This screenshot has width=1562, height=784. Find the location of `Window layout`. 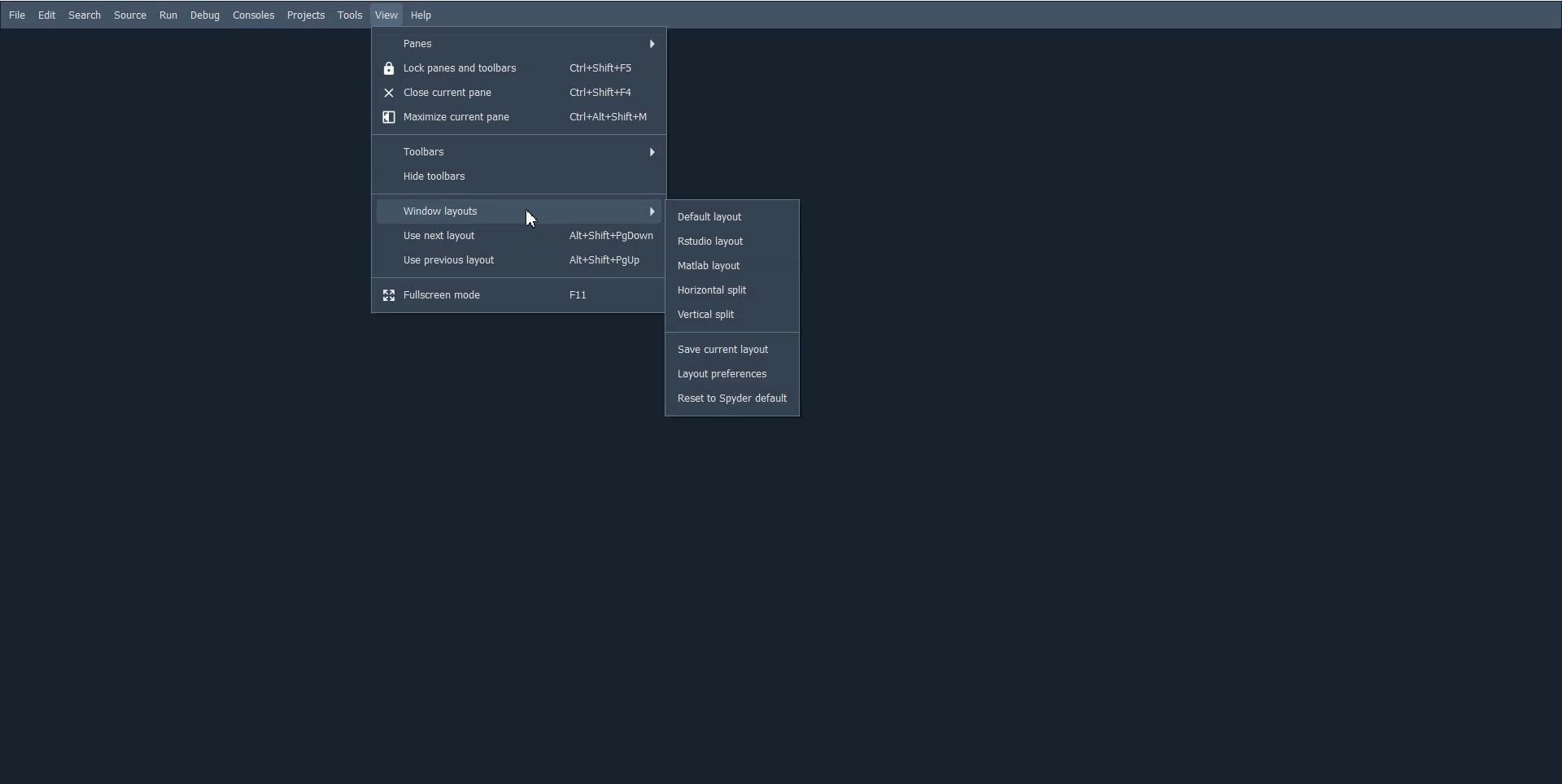

Window layout is located at coordinates (517, 211).